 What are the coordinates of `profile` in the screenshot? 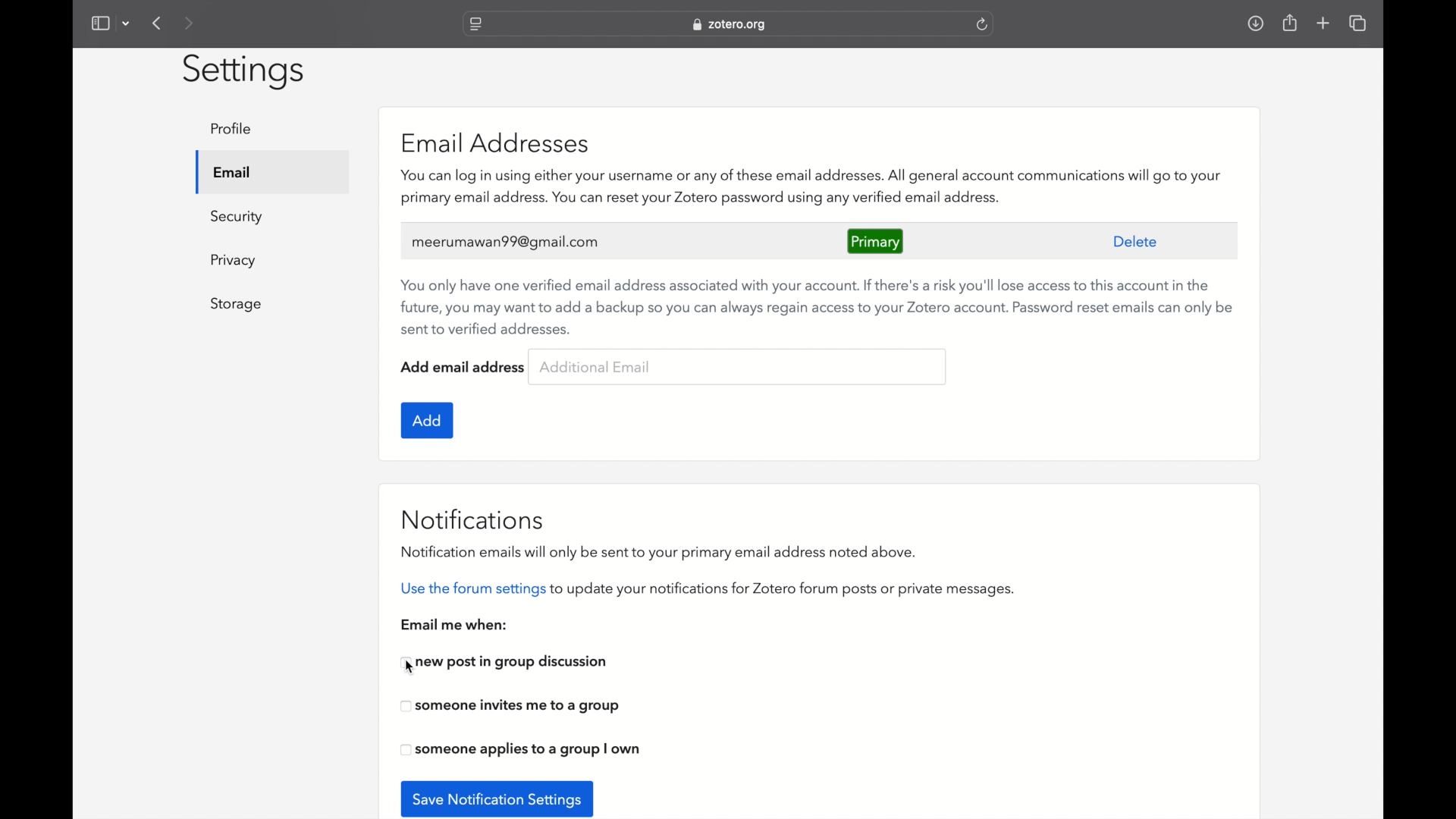 It's located at (232, 129).